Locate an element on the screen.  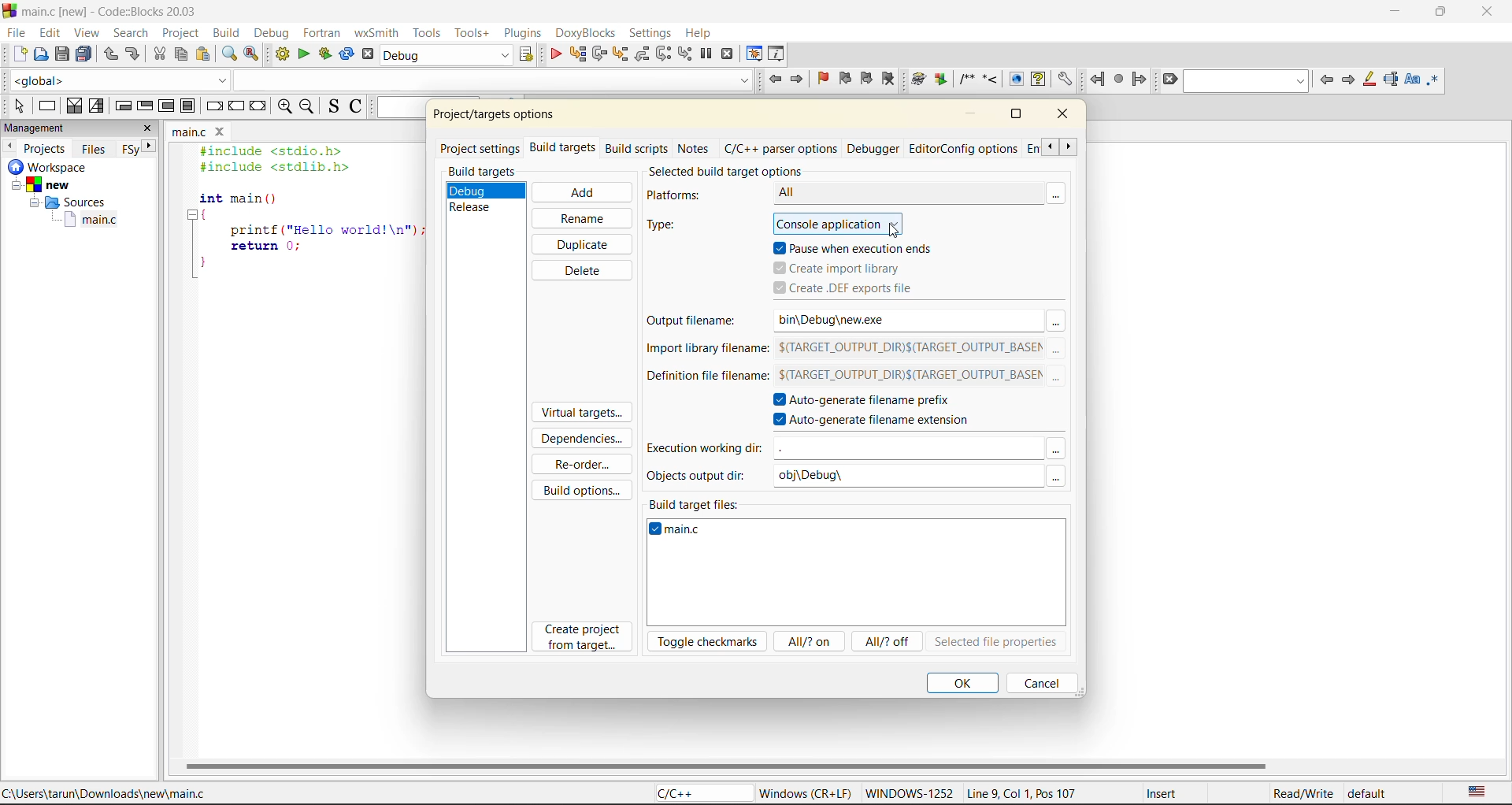
delete is located at coordinates (586, 270).